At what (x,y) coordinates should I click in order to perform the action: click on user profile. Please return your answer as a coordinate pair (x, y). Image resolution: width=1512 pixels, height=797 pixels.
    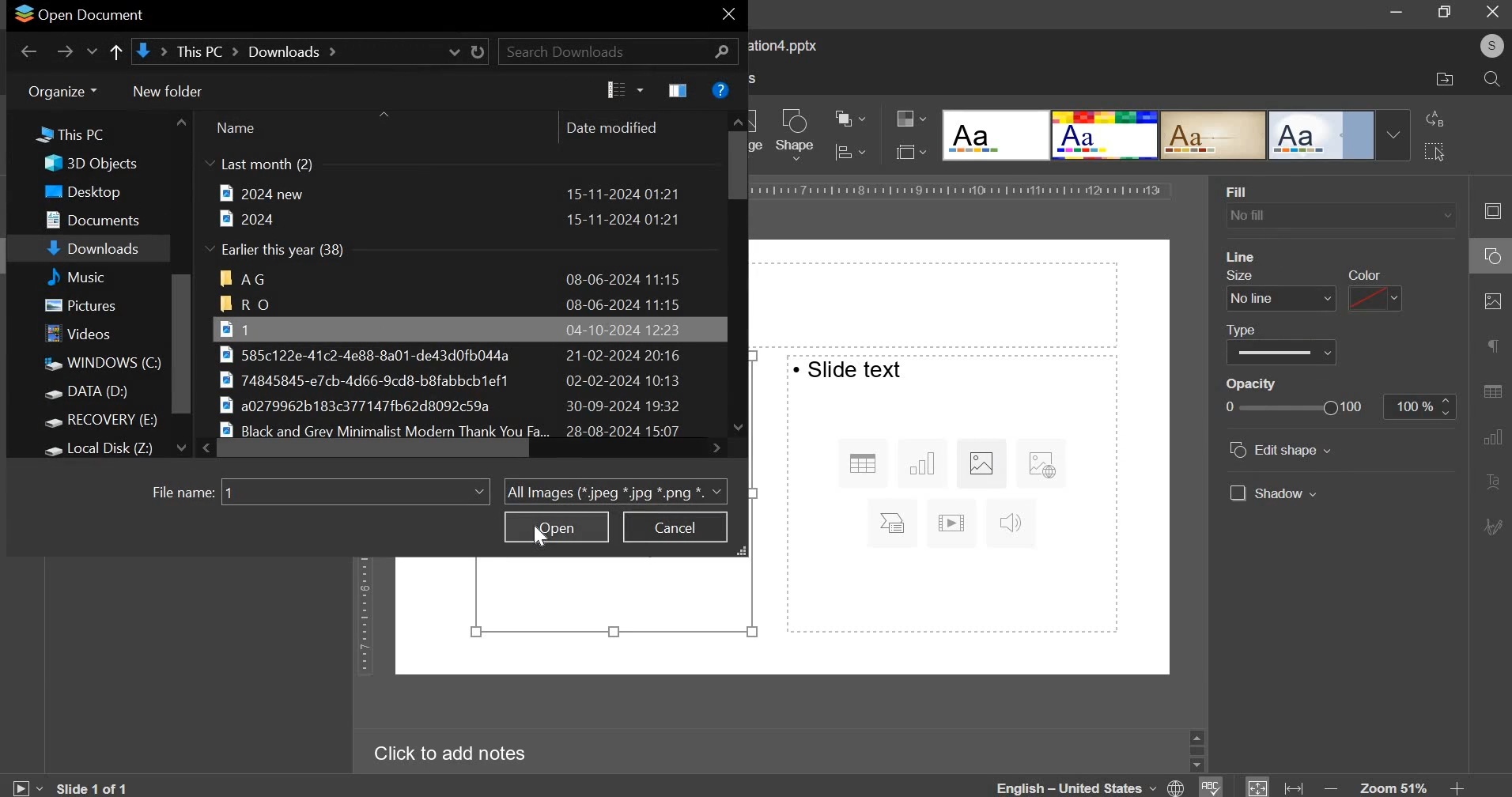
    Looking at the image, I should click on (1491, 46).